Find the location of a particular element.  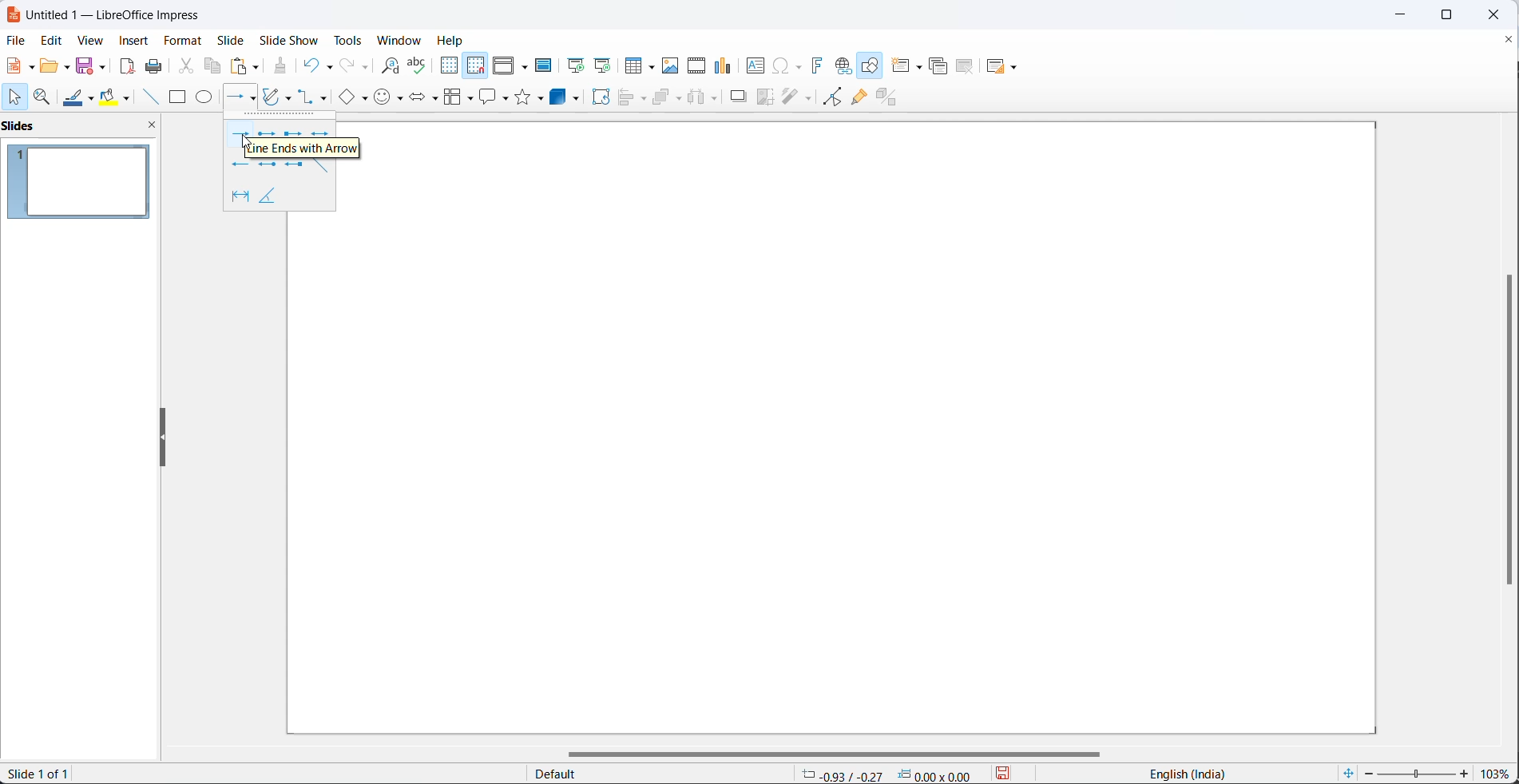

toggle end point edit mode is located at coordinates (828, 97).